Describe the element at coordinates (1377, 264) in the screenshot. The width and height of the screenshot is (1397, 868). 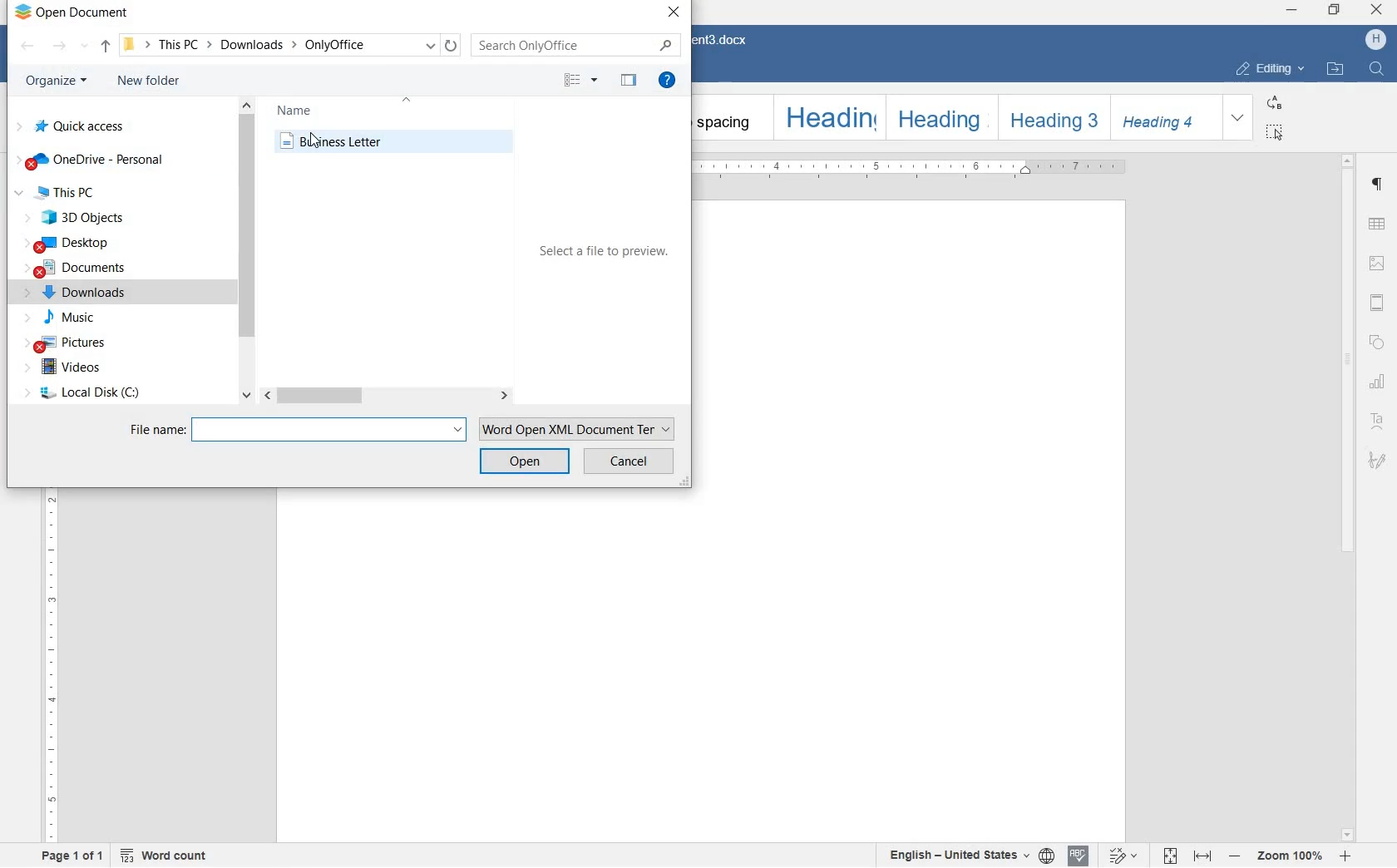
I see `image settings` at that location.